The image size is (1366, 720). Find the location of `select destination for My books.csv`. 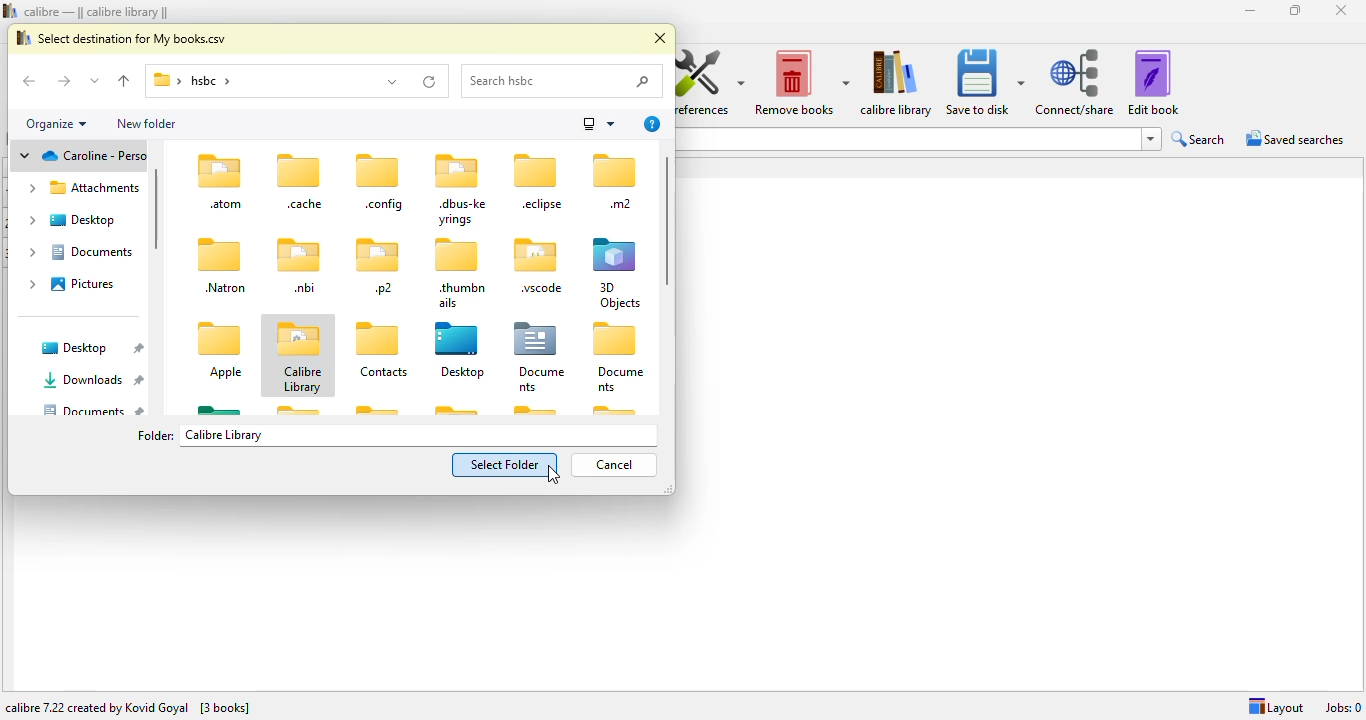

select destination for My books.csv is located at coordinates (122, 36).